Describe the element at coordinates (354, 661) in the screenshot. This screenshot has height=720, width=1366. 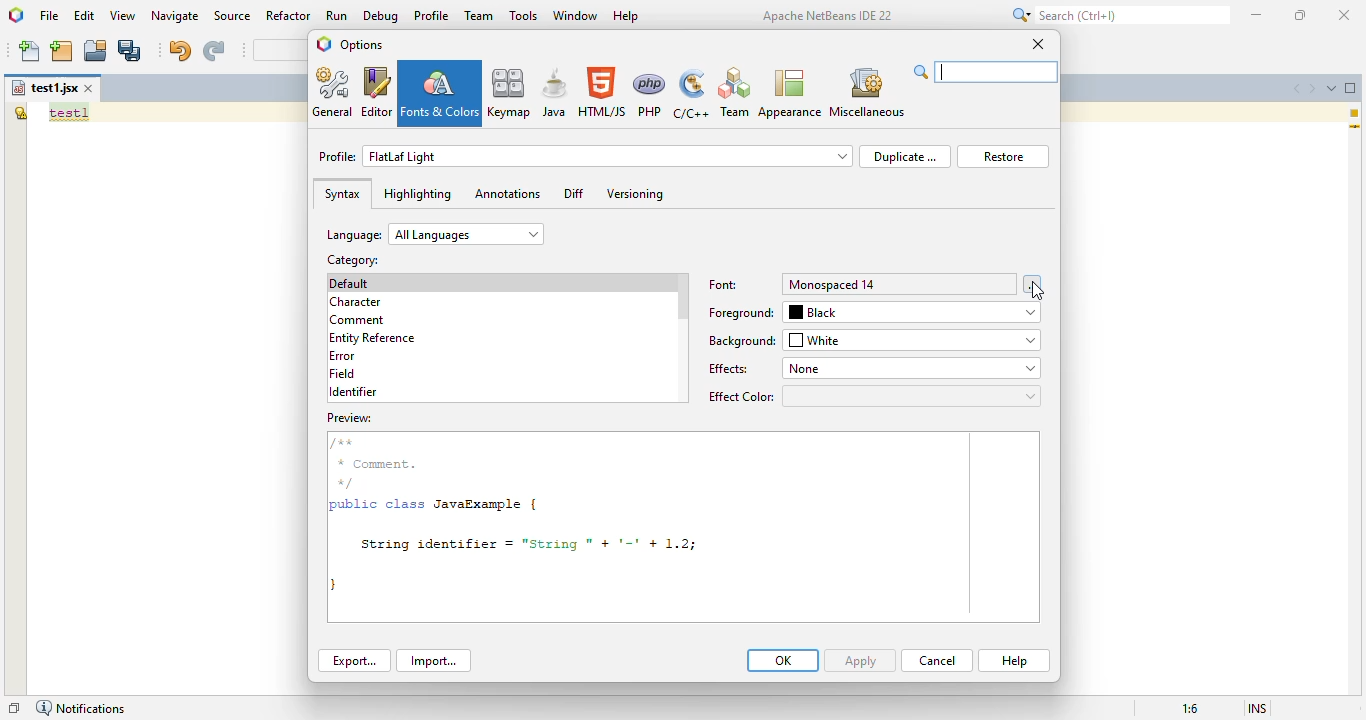
I see `export` at that location.